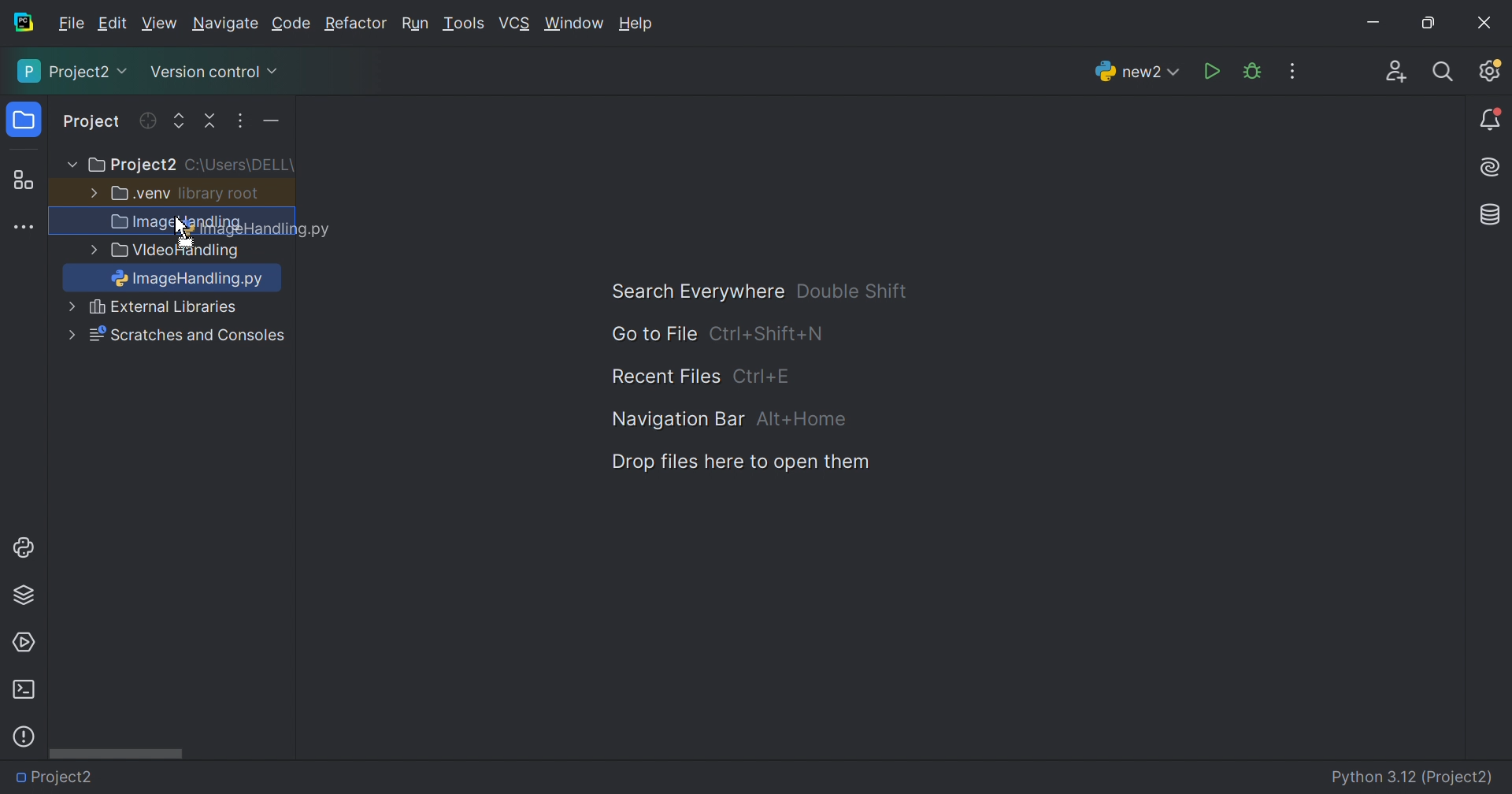 This screenshot has width=1512, height=794. Describe the element at coordinates (1414, 778) in the screenshot. I see `Python 3.12 (Project2)` at that location.